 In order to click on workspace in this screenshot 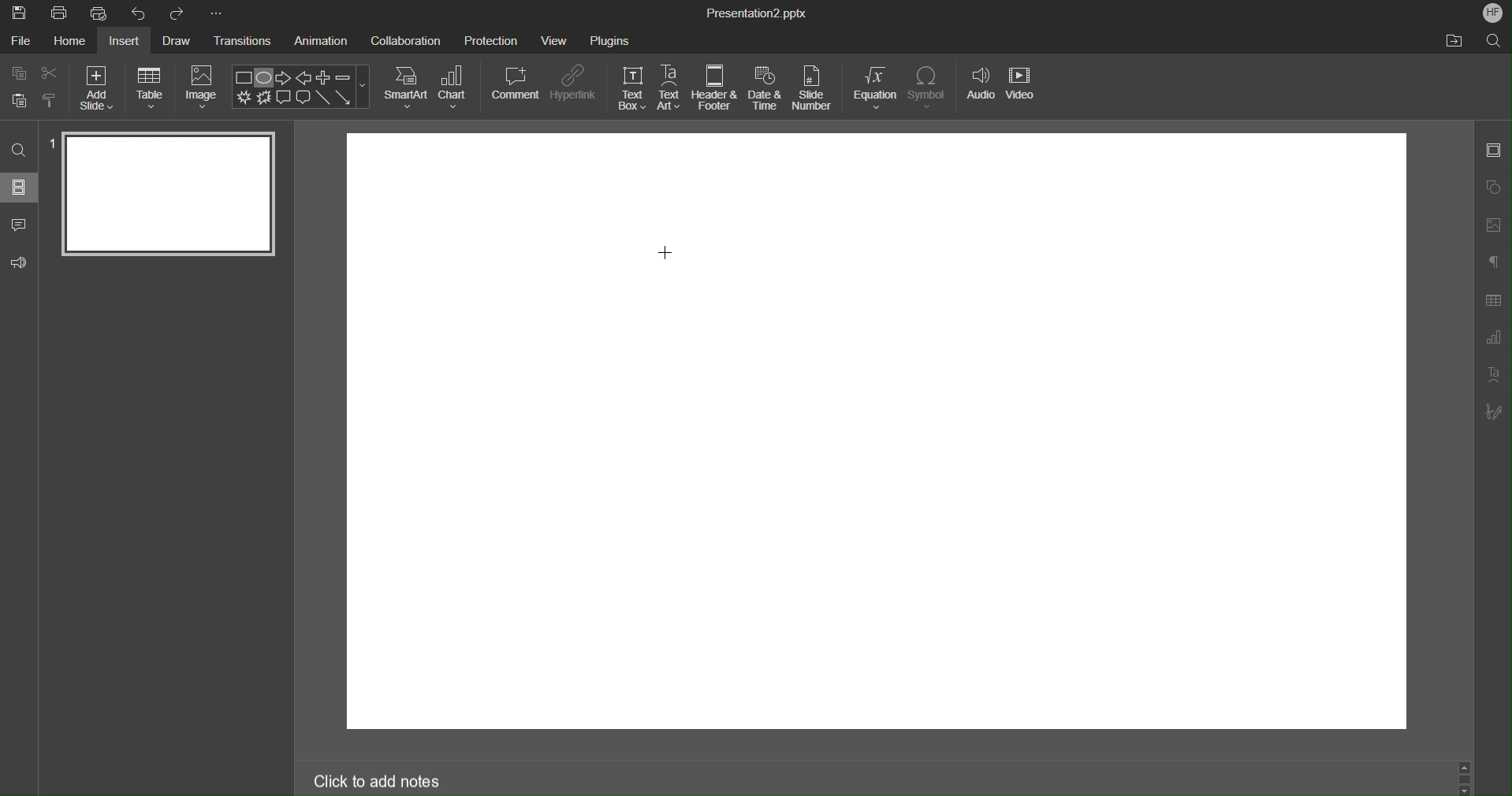, I will do `click(591, 502)`.